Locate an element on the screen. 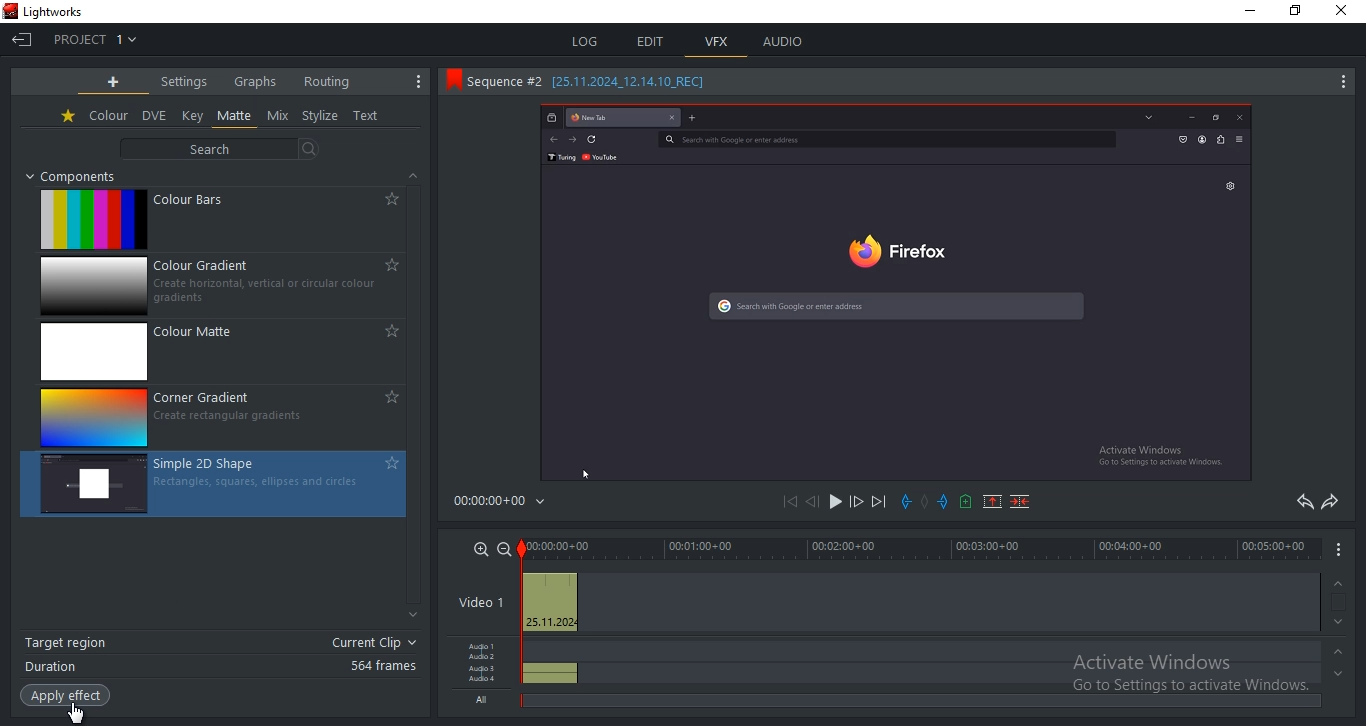 The height and width of the screenshot is (726, 1366). add is located at coordinates (114, 82).